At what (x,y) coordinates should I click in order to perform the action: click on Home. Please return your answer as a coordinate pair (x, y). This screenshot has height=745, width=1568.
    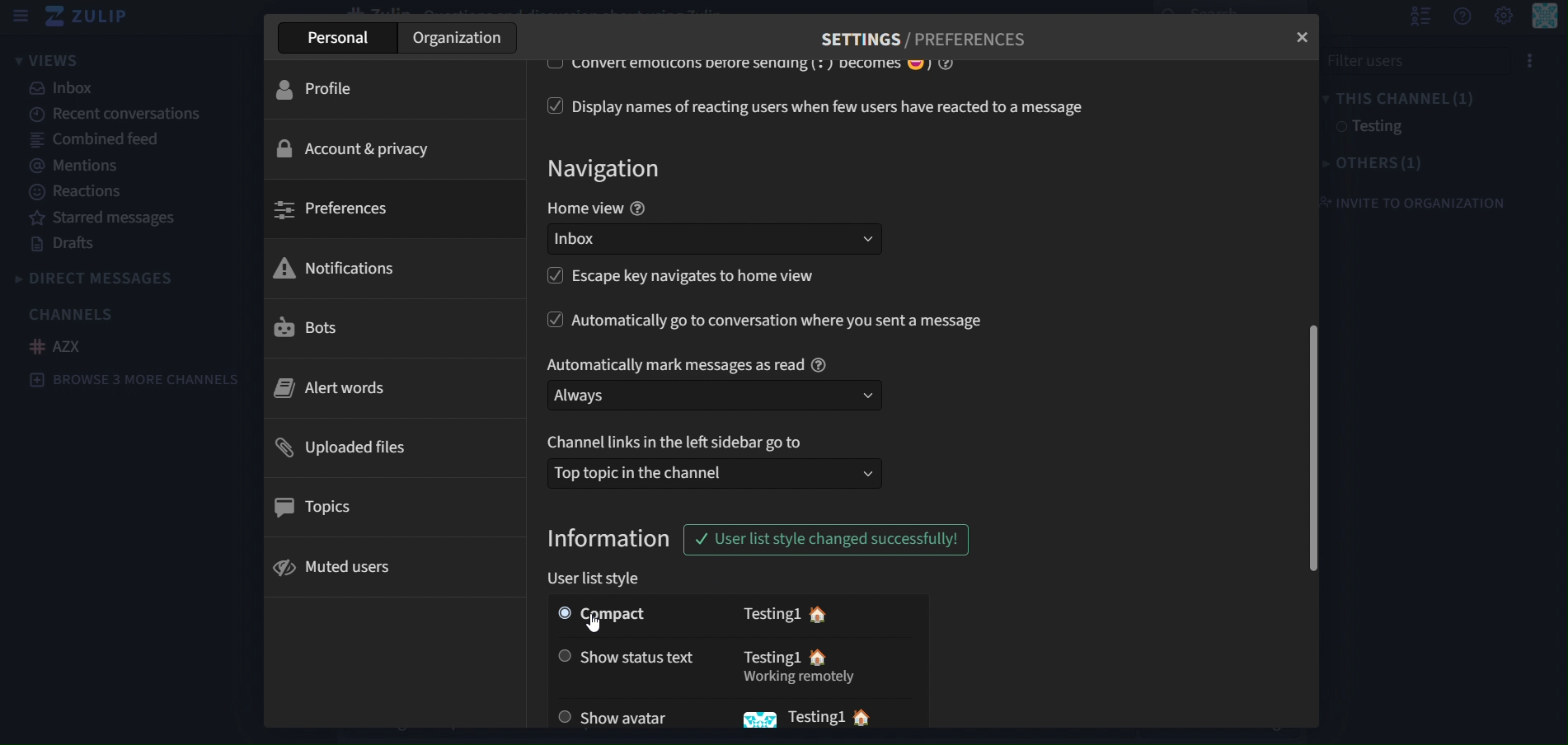
    Looking at the image, I should click on (819, 659).